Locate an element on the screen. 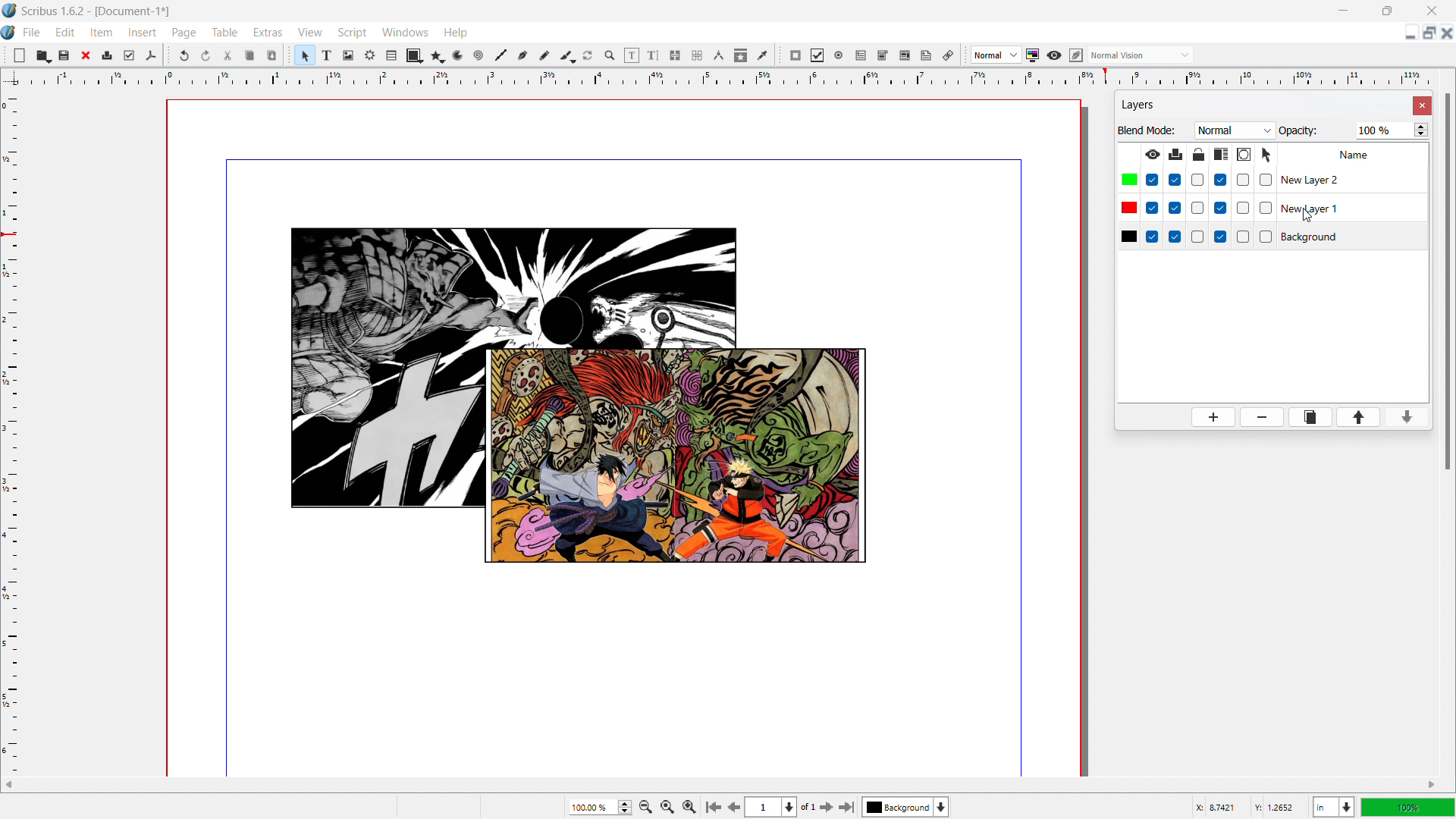 This screenshot has height=819, width=1456. close settings is located at coordinates (1423, 105).